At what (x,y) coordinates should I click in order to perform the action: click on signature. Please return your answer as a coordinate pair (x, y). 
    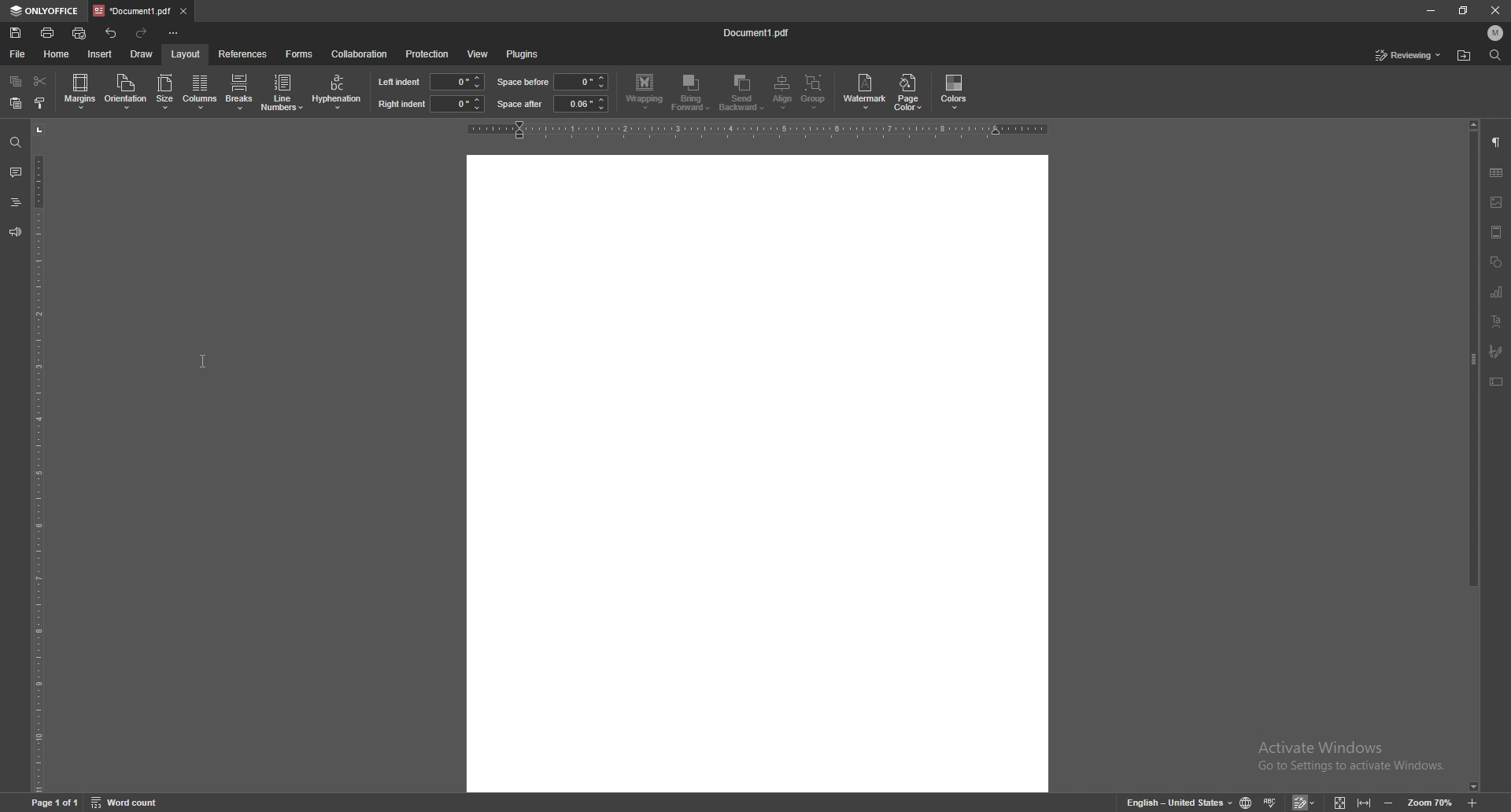
    Looking at the image, I should click on (1495, 351).